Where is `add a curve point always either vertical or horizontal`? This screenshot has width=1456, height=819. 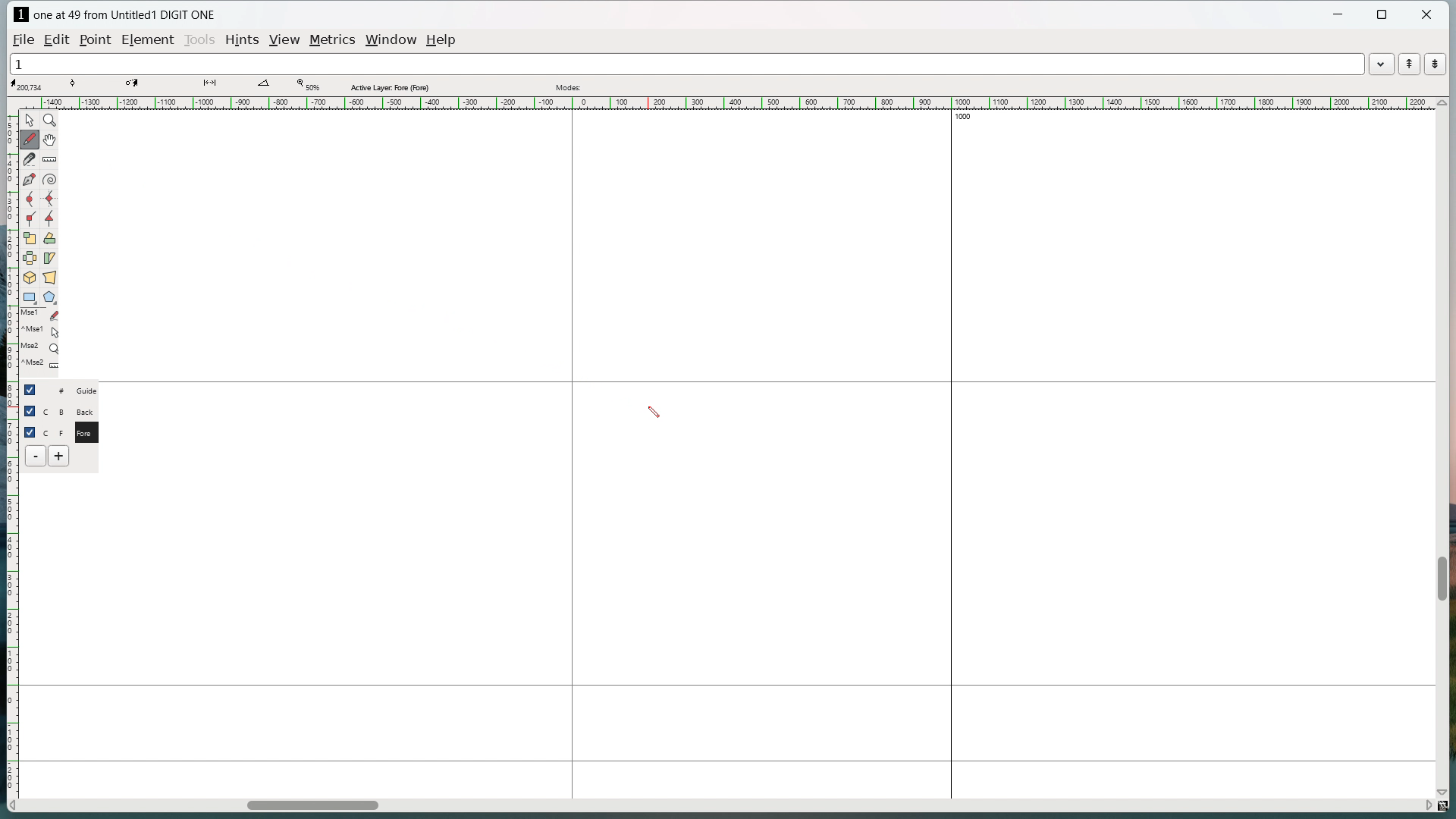 add a curve point always either vertical or horizontal is located at coordinates (49, 199).